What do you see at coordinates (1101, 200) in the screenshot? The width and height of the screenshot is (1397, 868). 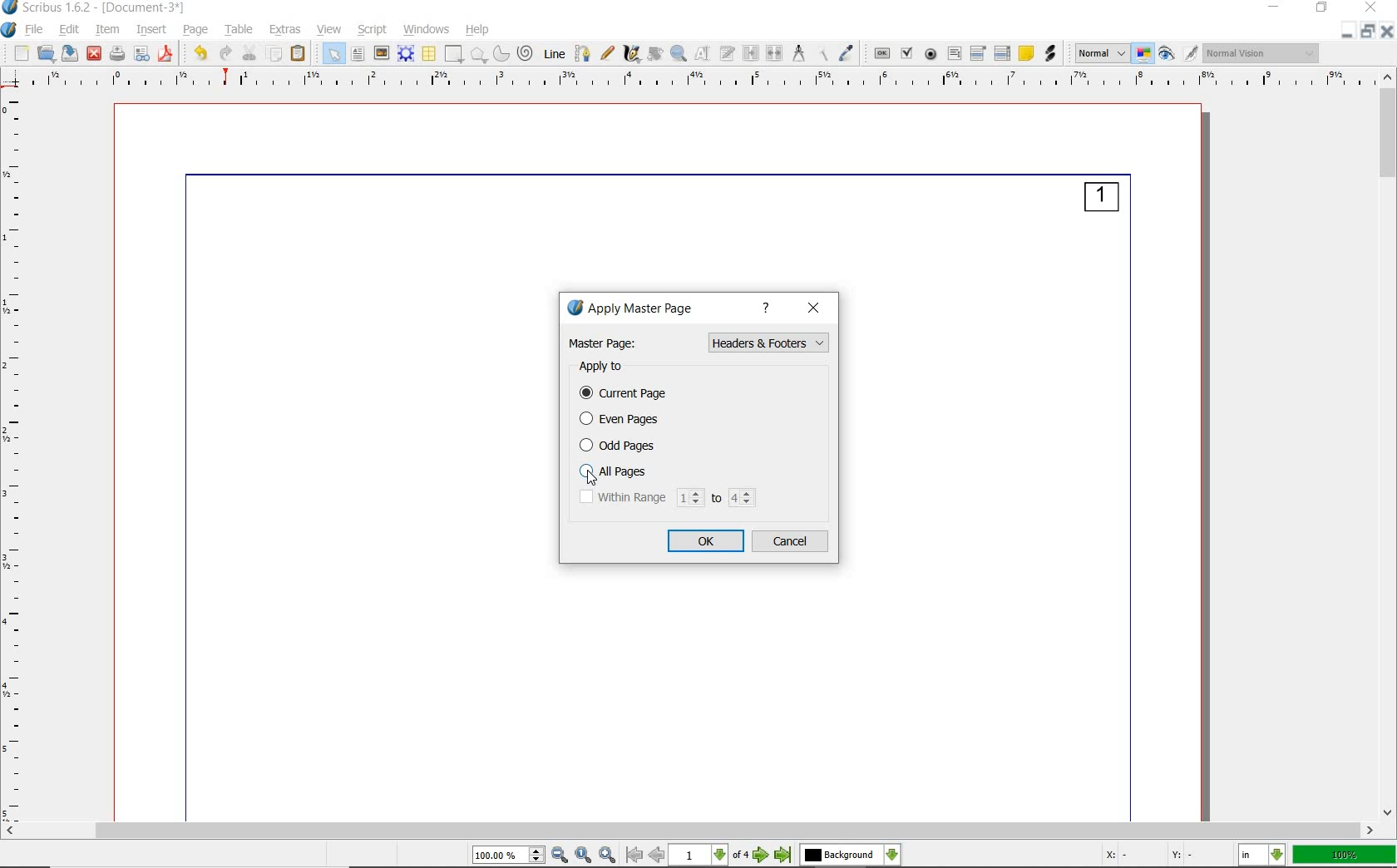 I see `1` at bounding box center [1101, 200].